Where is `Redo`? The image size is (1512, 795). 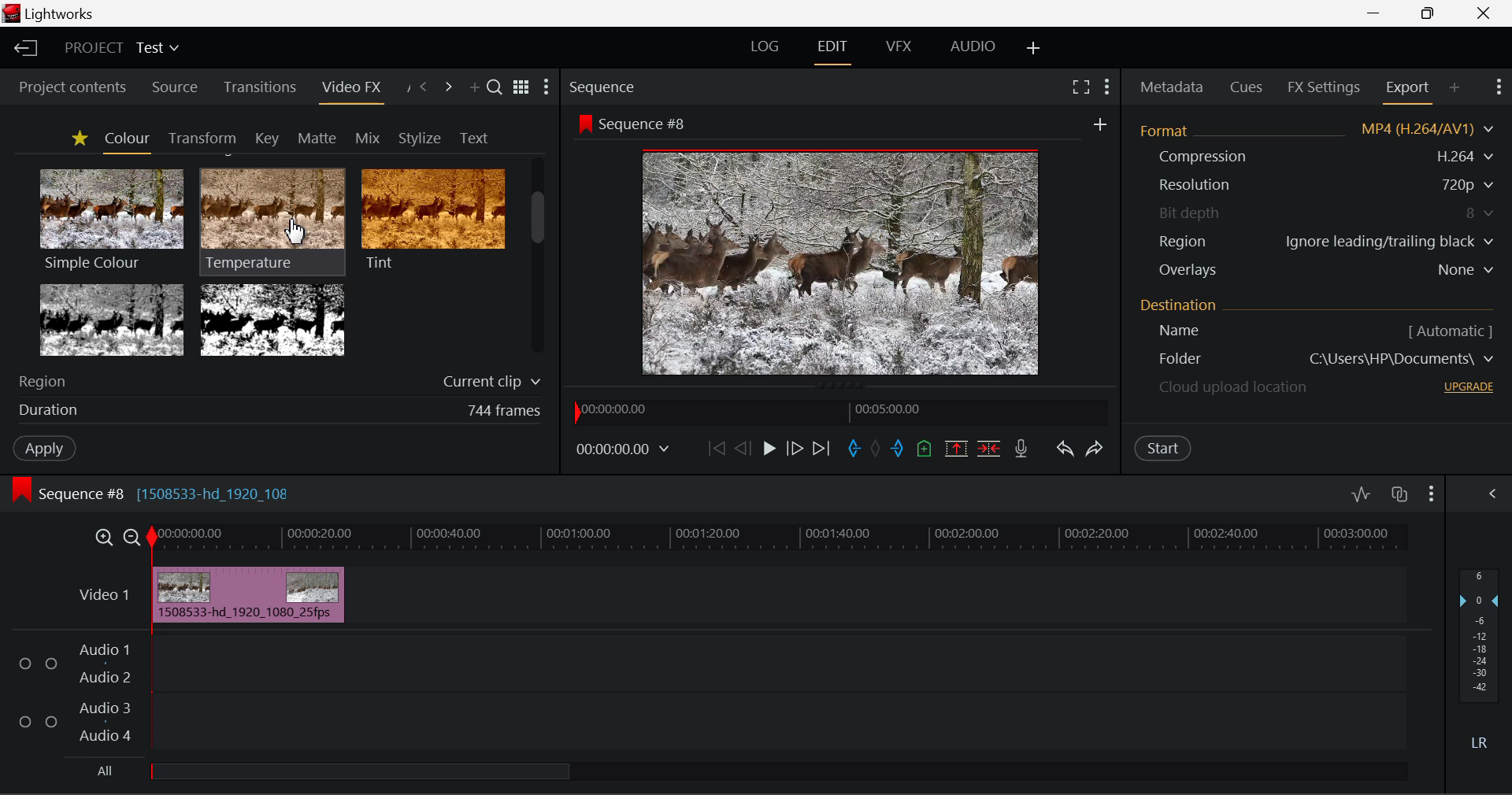 Redo is located at coordinates (1098, 449).